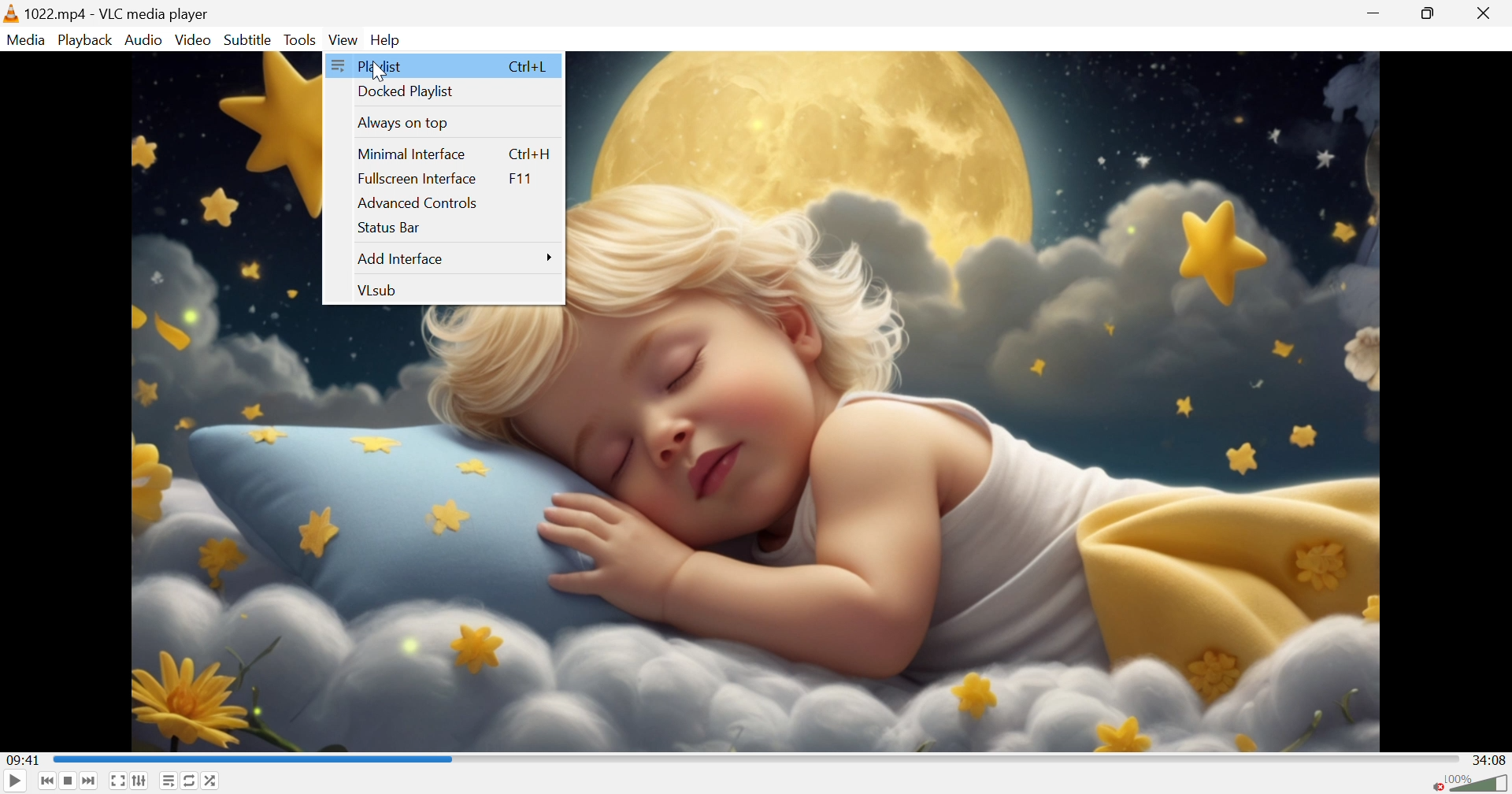  I want to click on VLsub, so click(376, 288).